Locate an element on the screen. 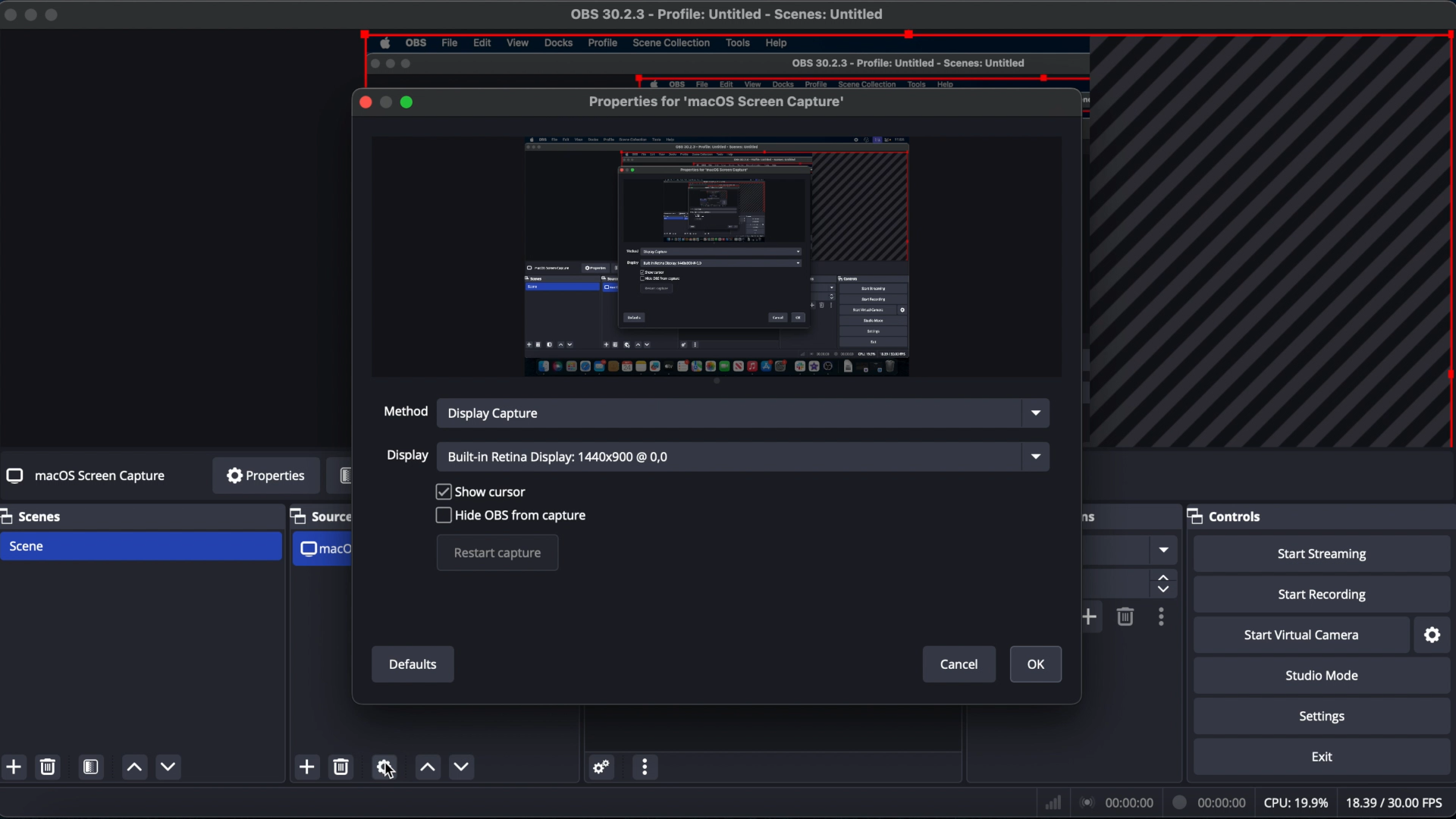 Image resolution: width=1456 pixels, height=819 pixels. close is located at coordinates (9, 15).